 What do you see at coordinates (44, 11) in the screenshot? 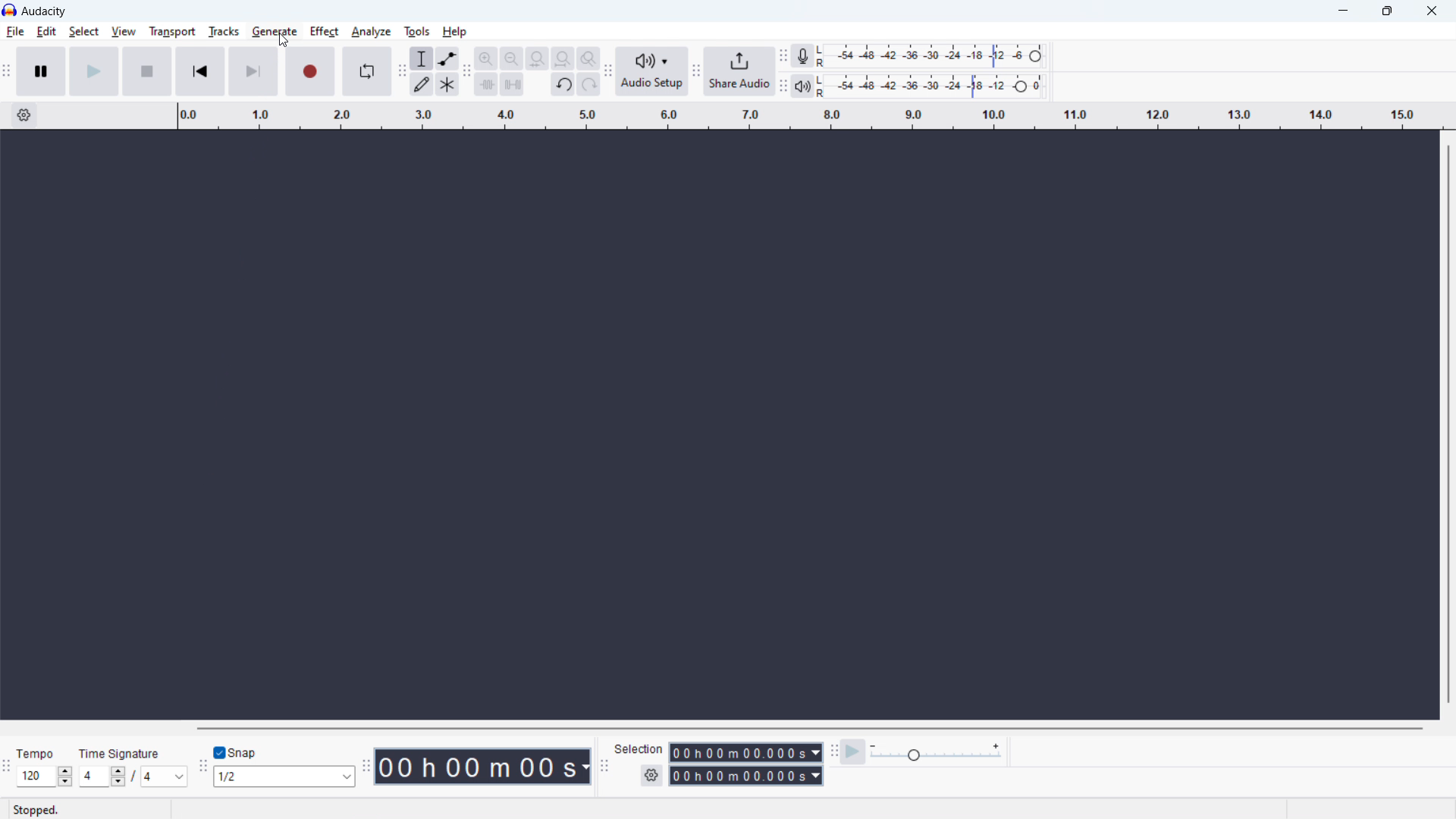
I see `title` at bounding box center [44, 11].